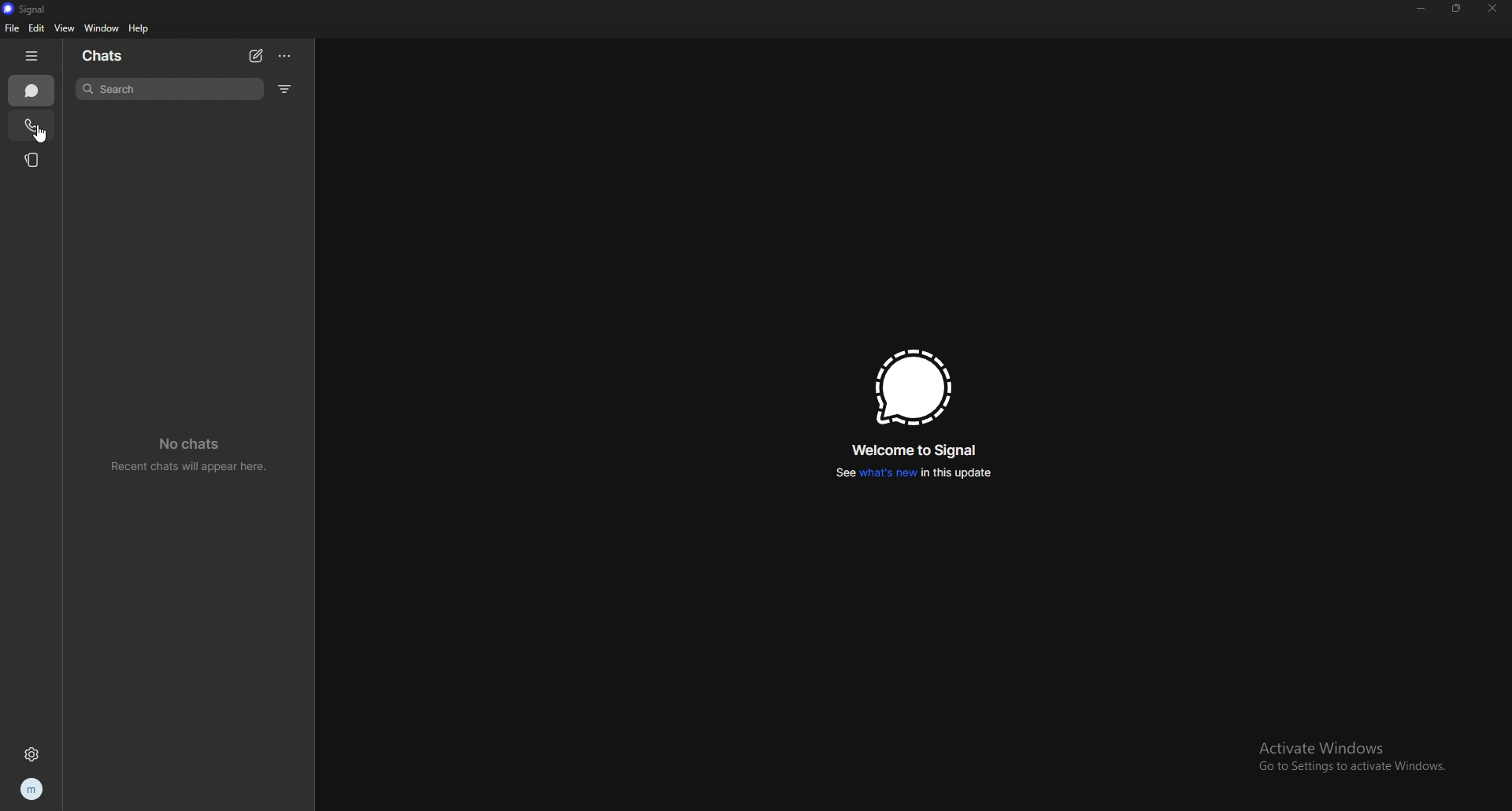  I want to click on signal, so click(31, 9).